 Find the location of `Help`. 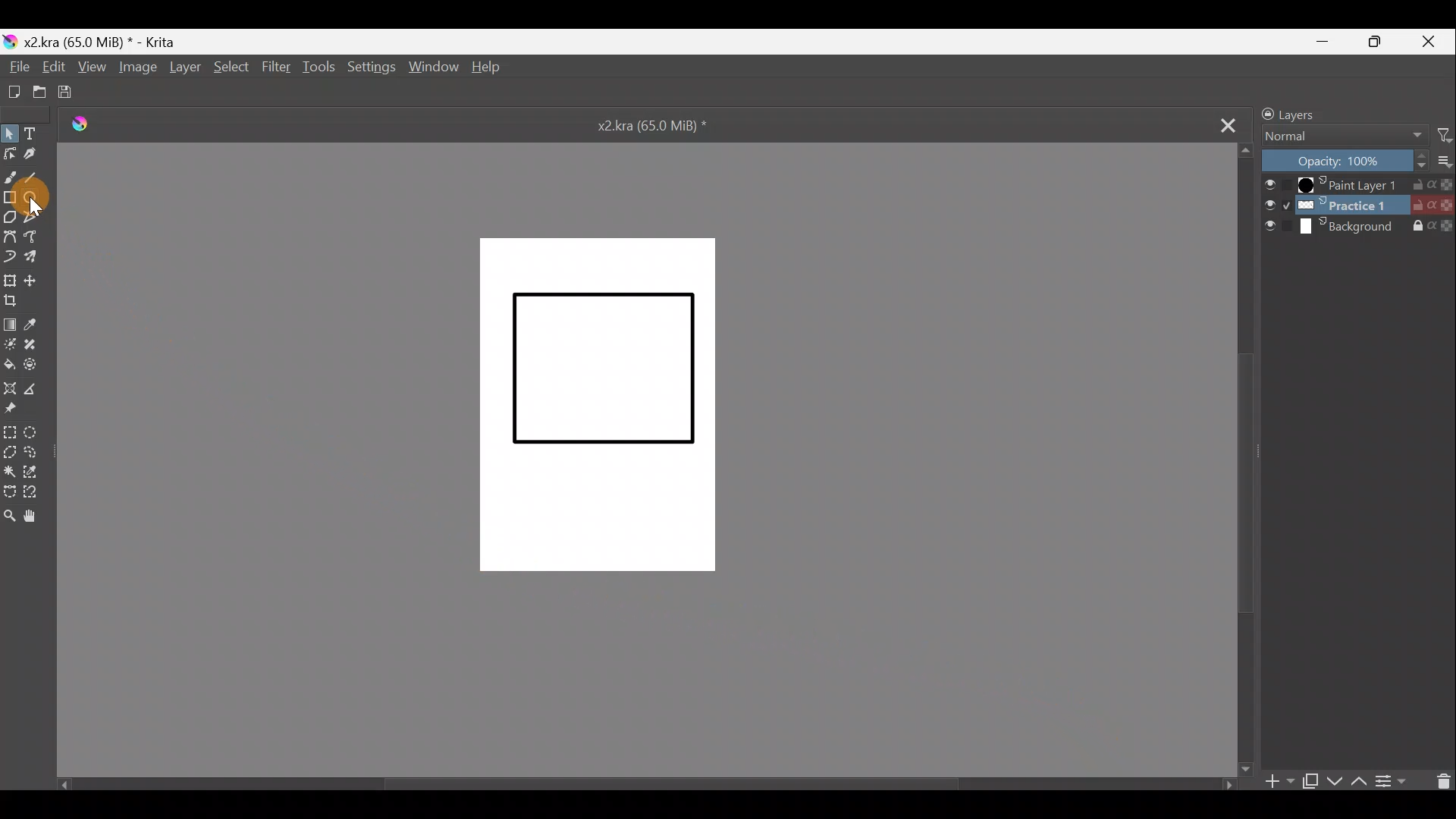

Help is located at coordinates (490, 69).